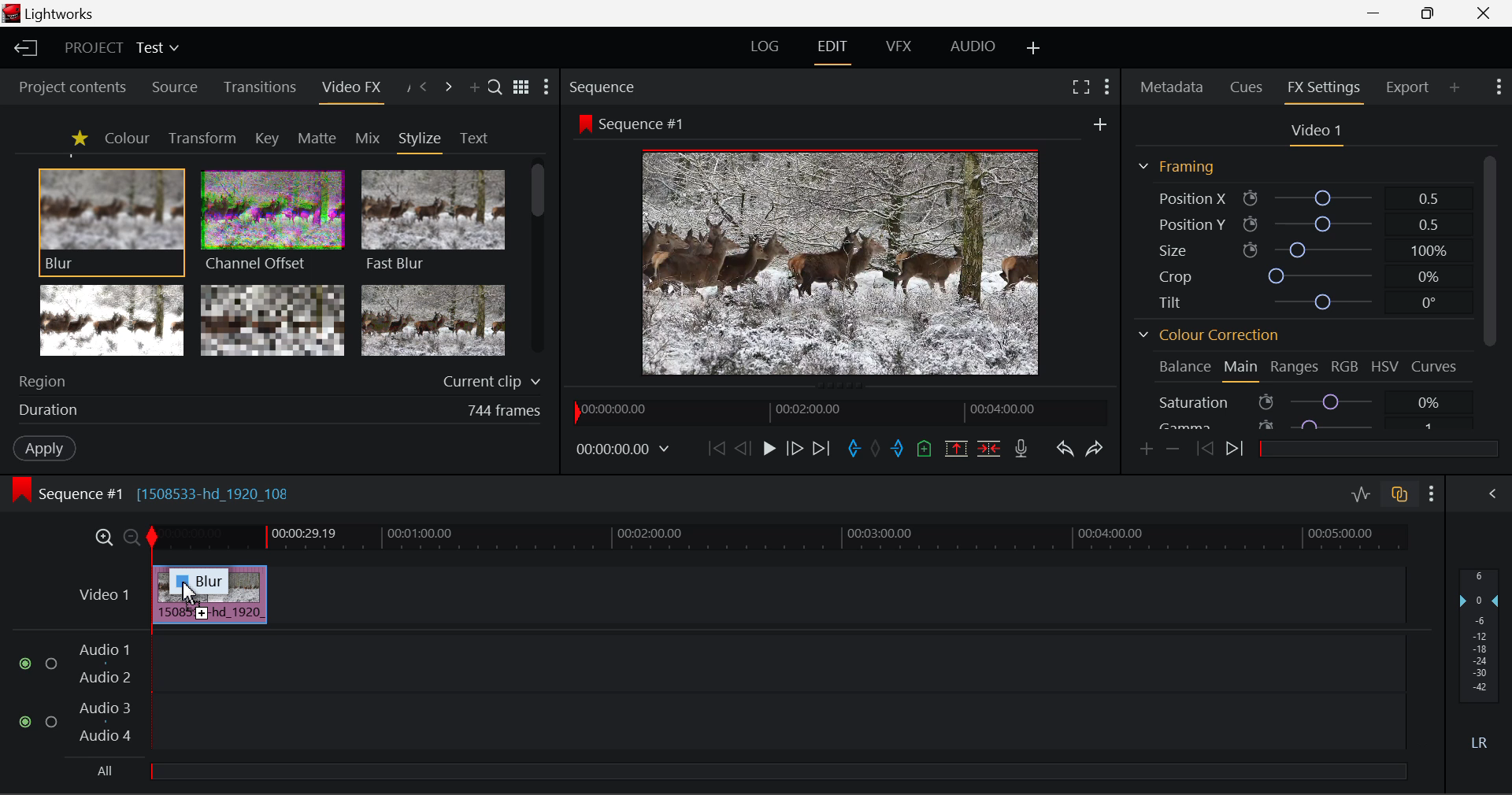  I want to click on Minimize, so click(1429, 14).